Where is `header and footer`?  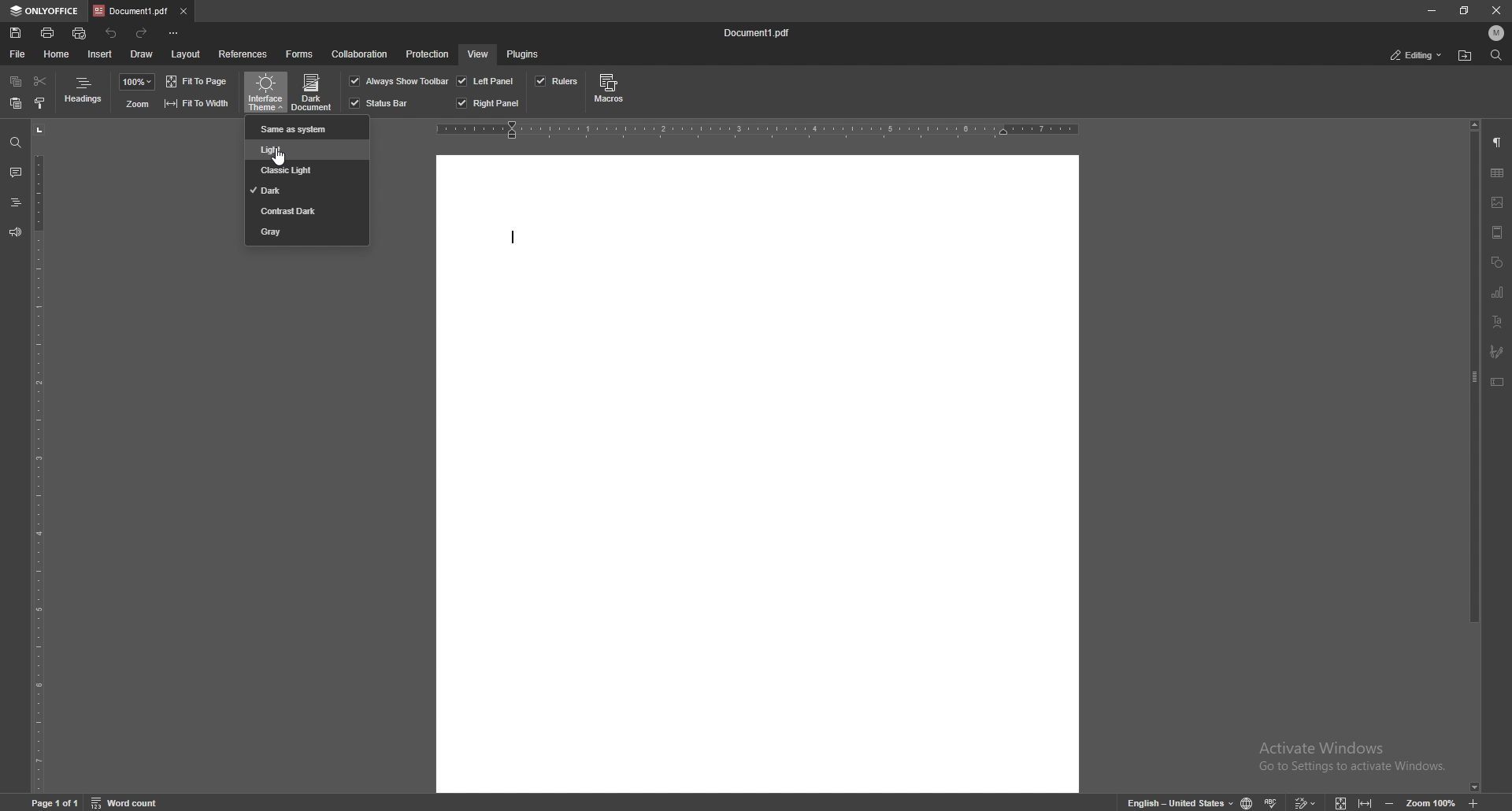 header and footer is located at coordinates (1496, 232).